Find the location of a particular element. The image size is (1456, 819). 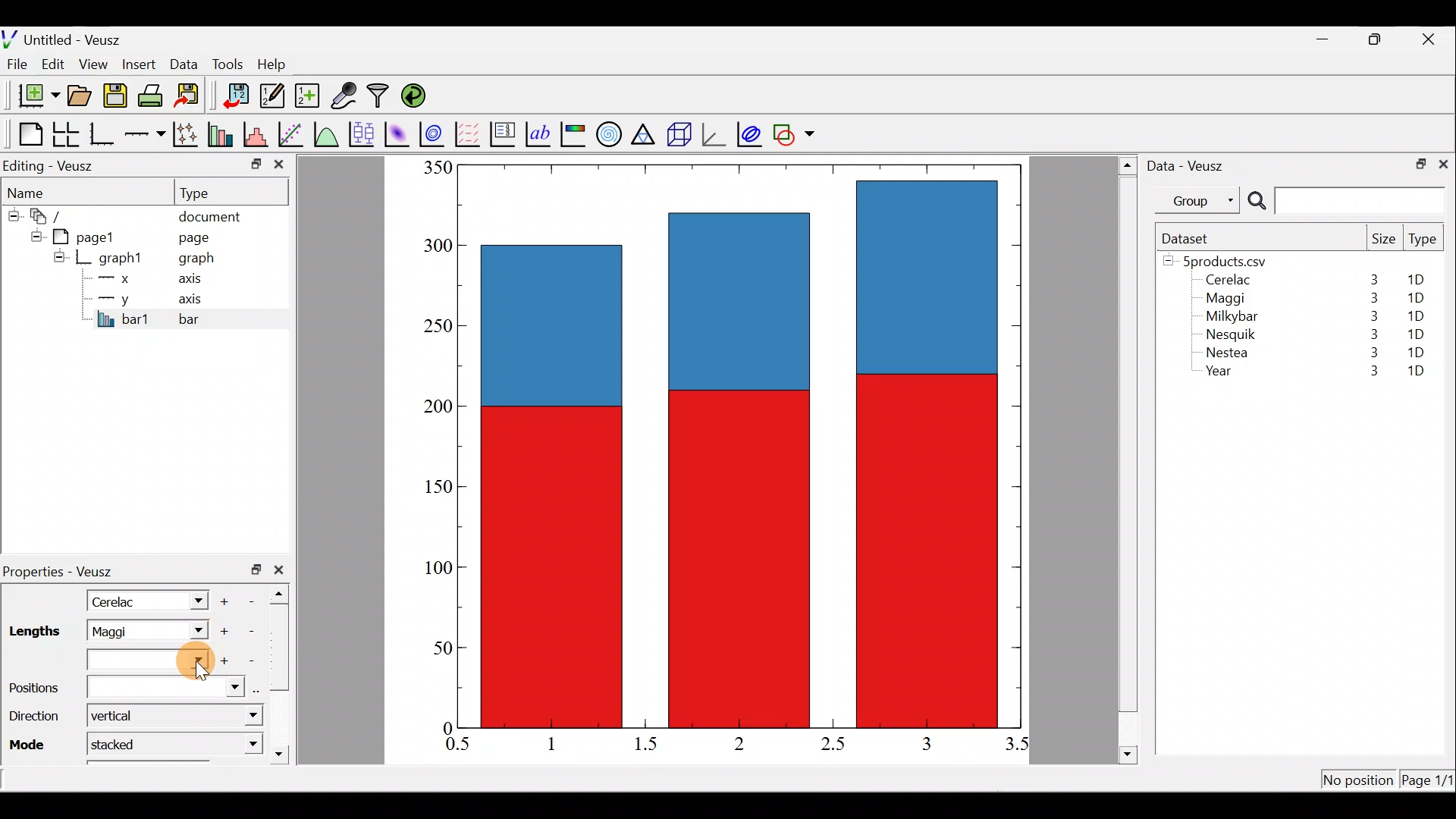

hide is located at coordinates (33, 234).